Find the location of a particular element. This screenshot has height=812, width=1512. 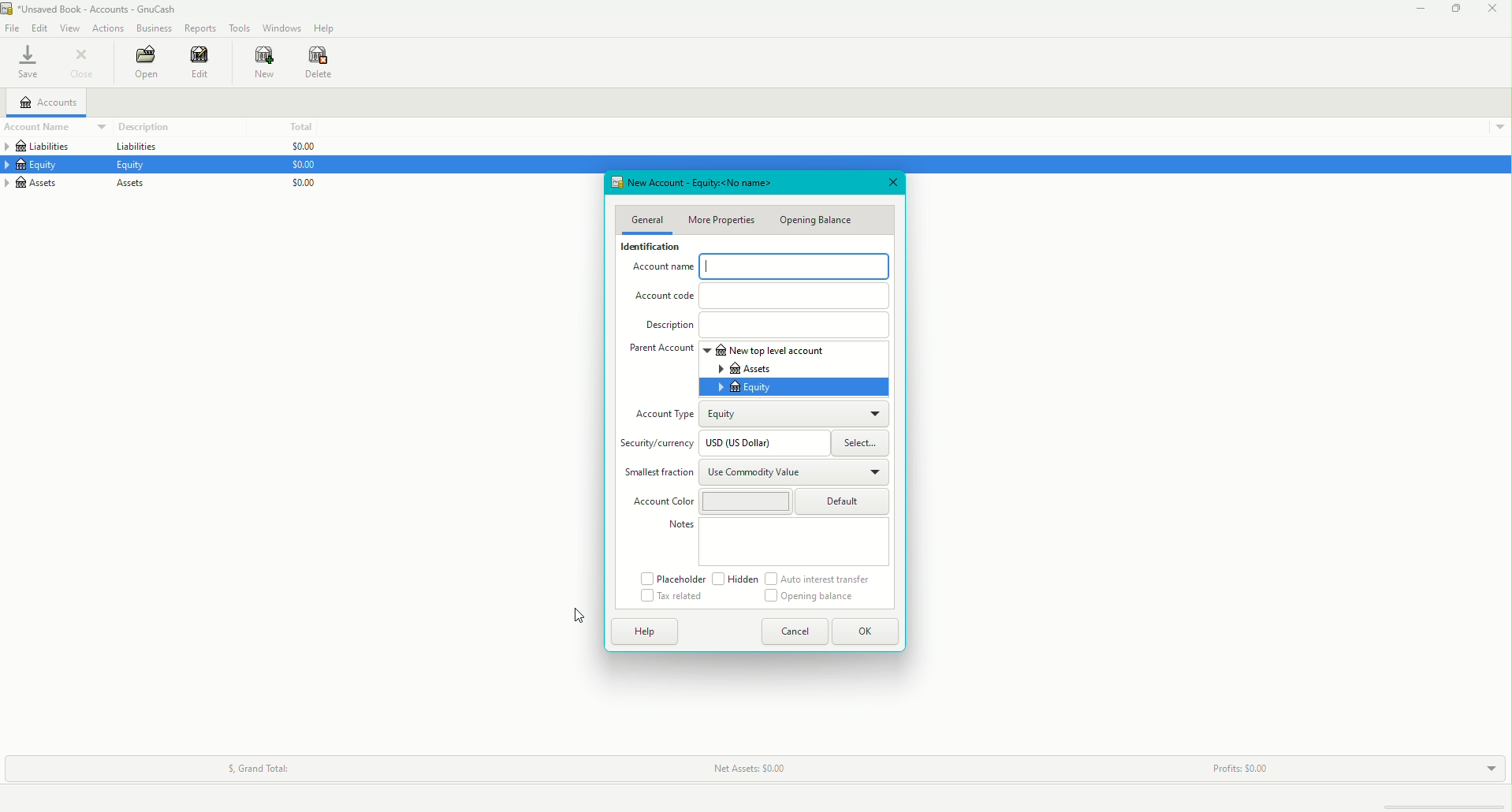

$0 is located at coordinates (303, 167).